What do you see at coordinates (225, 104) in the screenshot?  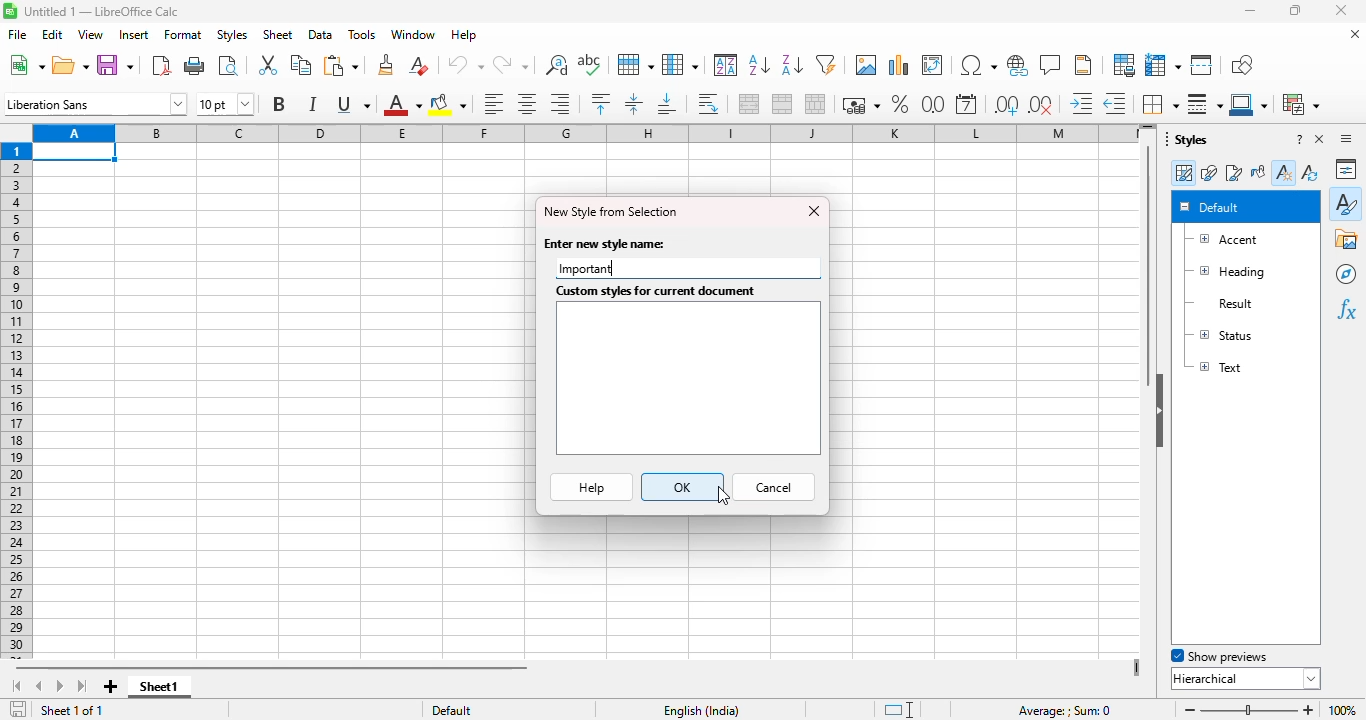 I see `font size` at bounding box center [225, 104].